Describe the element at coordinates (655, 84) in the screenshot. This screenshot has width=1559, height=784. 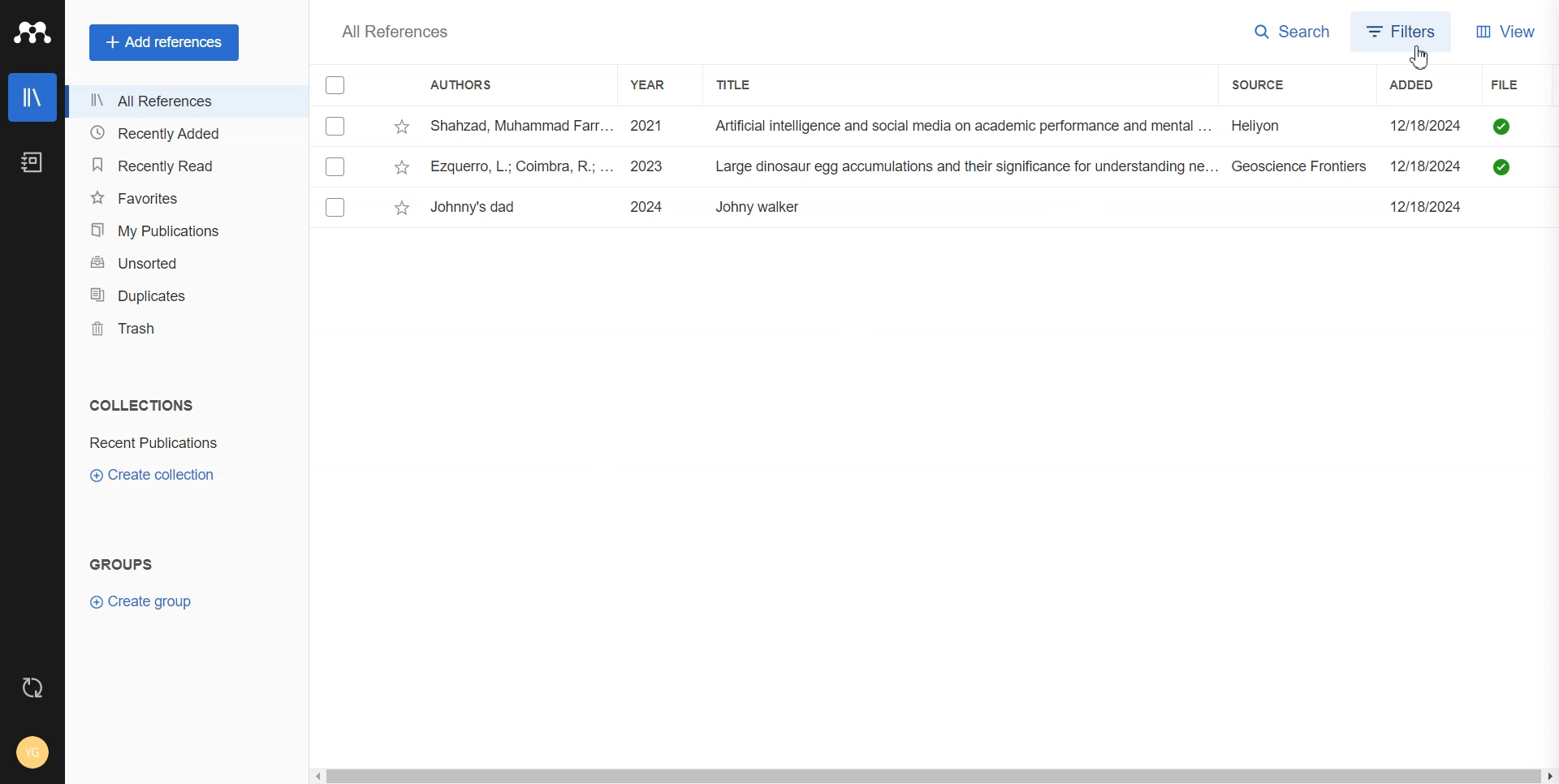
I see `Year` at that location.